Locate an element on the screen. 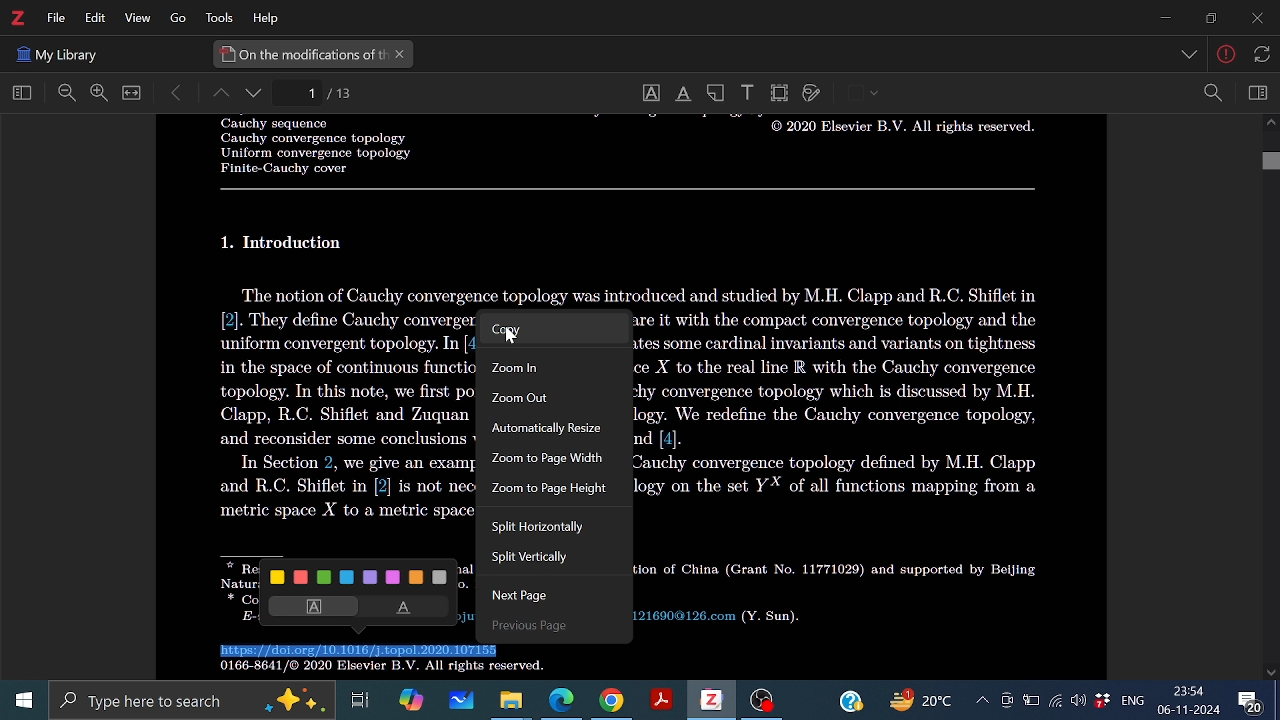  Show hidden icons is located at coordinates (981, 700).